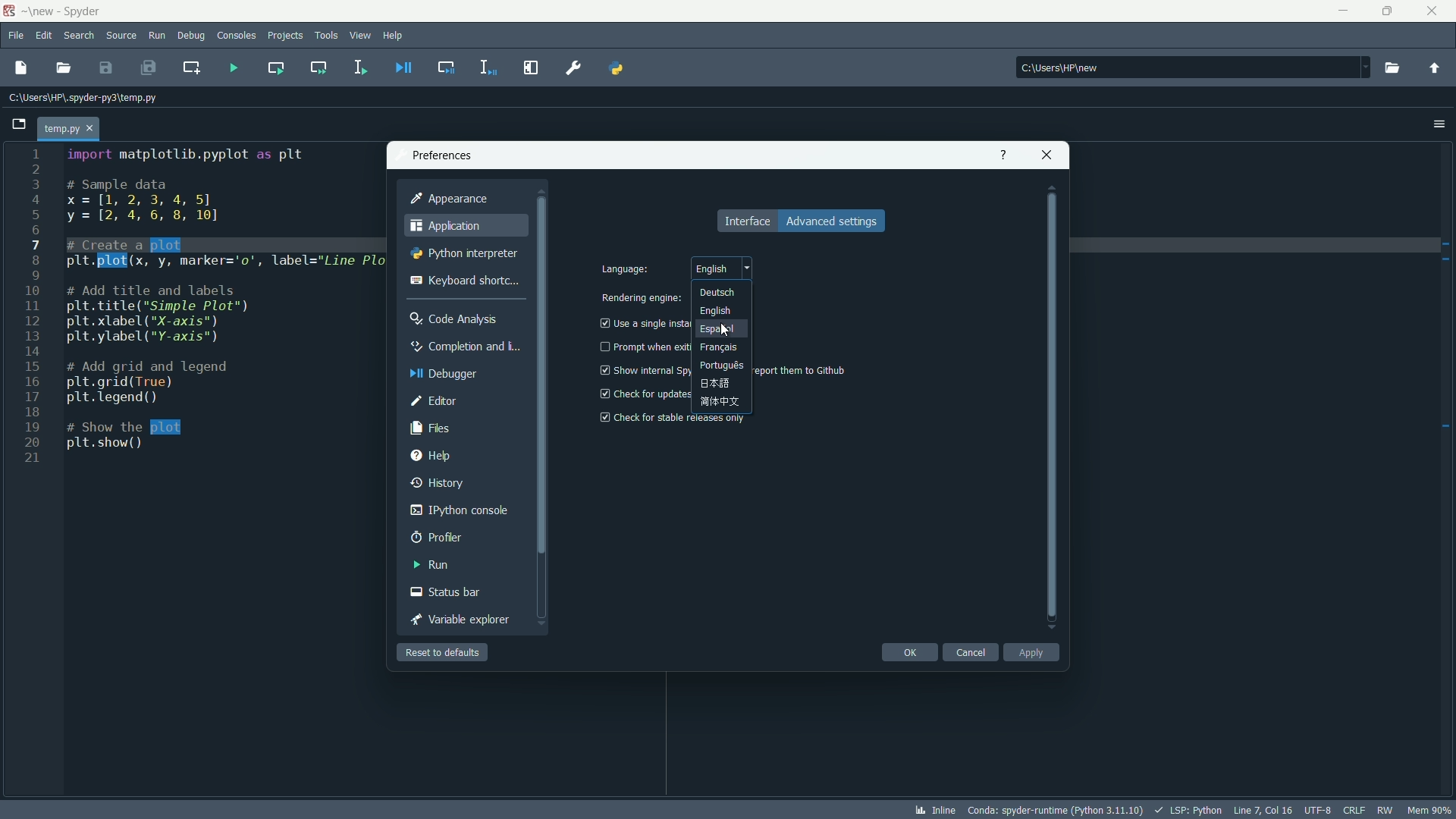  I want to click on run, so click(430, 564).